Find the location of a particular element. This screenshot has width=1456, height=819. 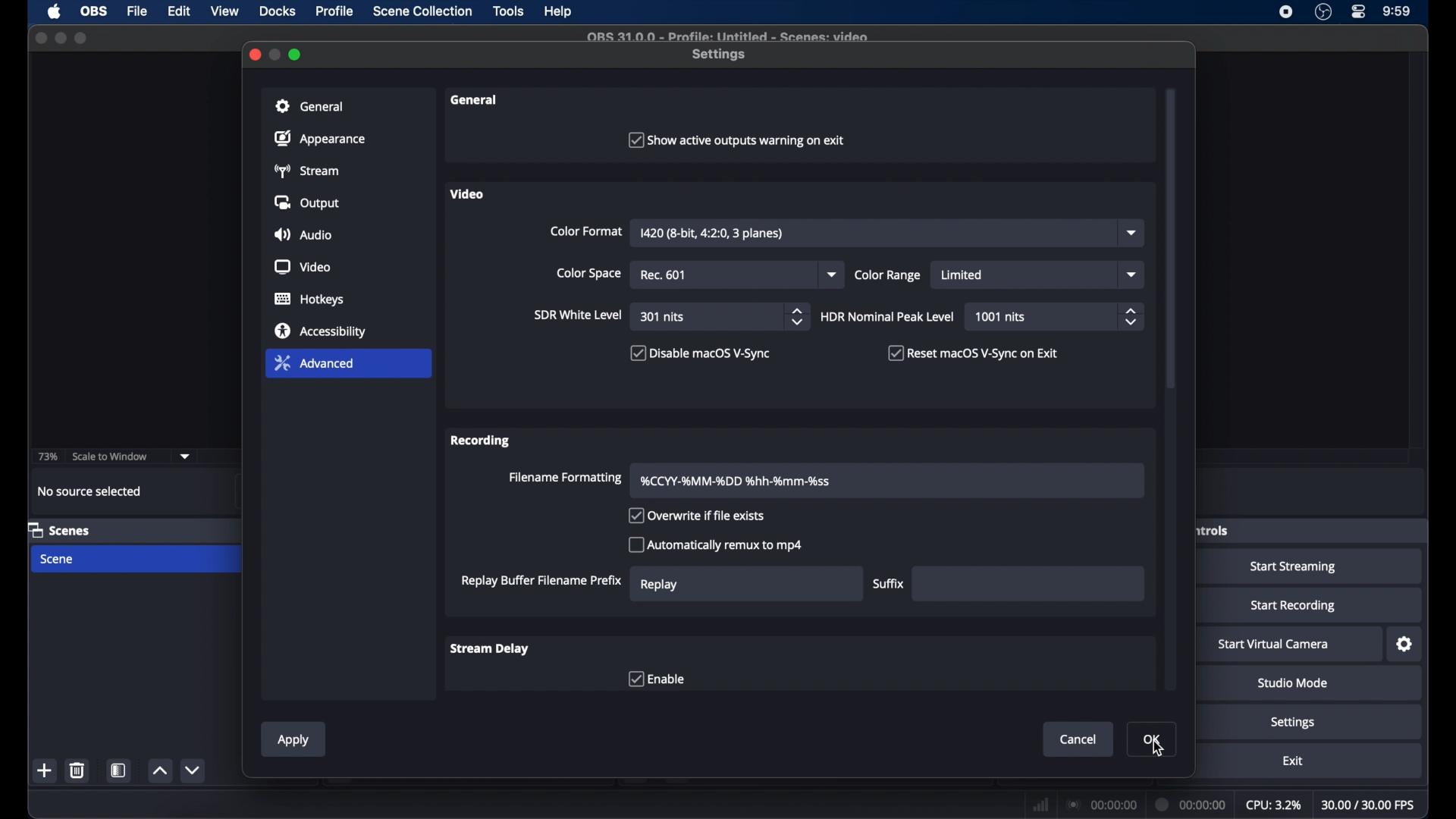

stepper buttons is located at coordinates (1130, 317).